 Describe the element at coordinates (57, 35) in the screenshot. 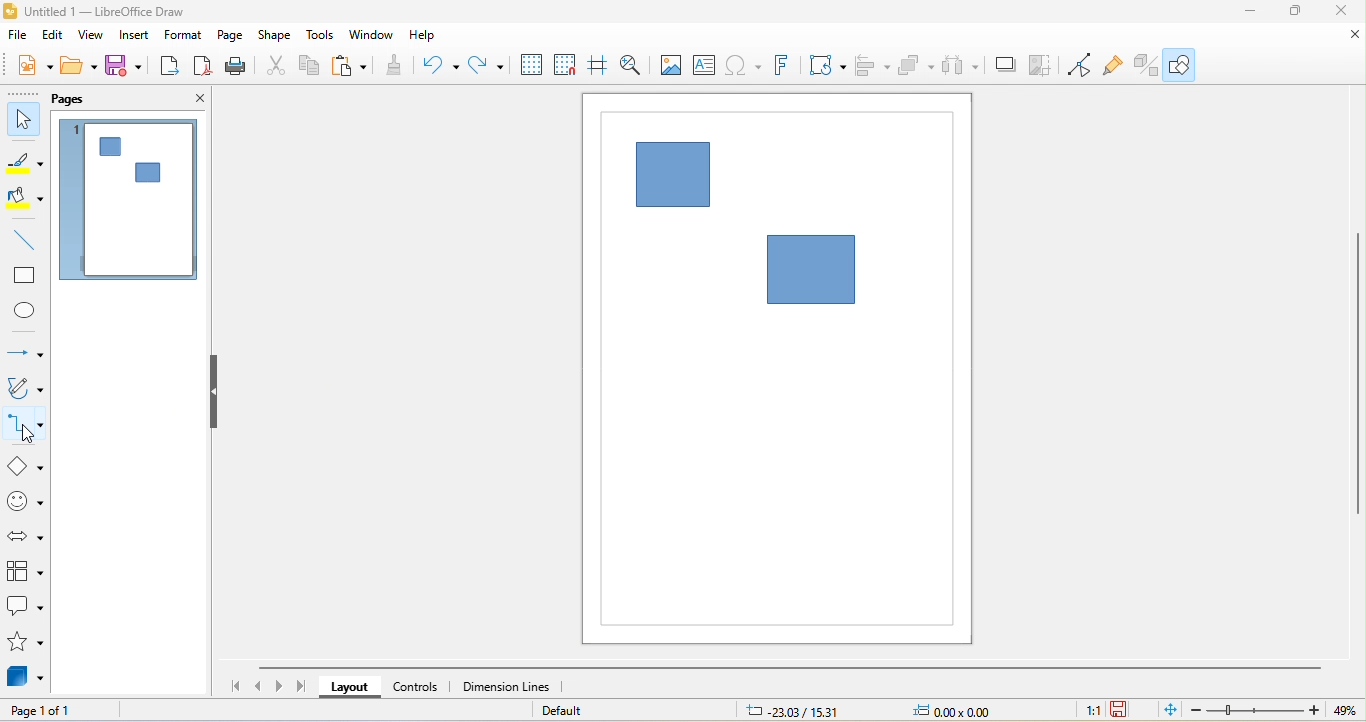

I see `edit` at that location.